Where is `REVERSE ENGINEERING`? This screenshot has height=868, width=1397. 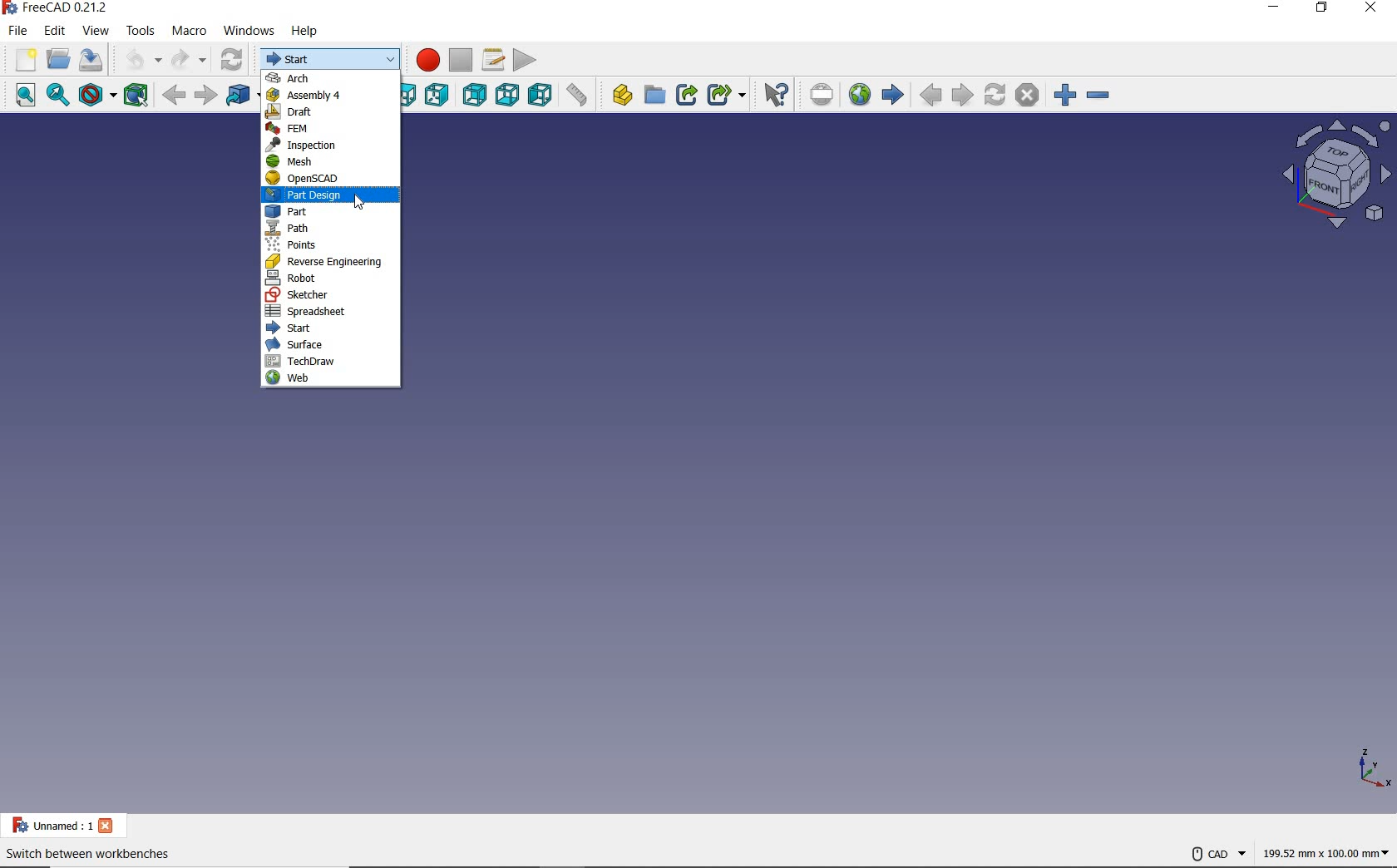
REVERSE ENGINEERING is located at coordinates (329, 264).